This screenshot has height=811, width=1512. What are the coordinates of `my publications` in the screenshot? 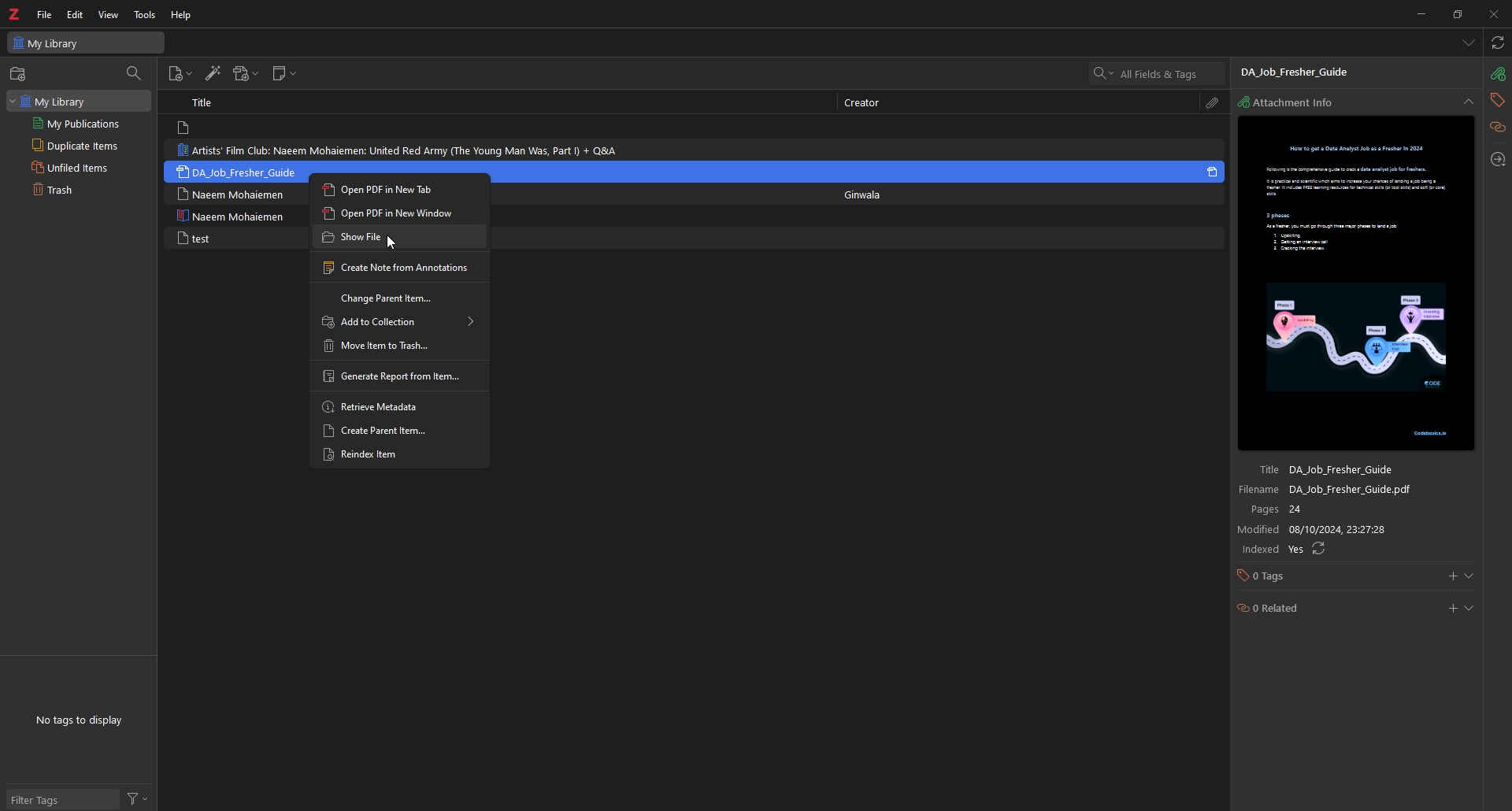 It's located at (80, 123).